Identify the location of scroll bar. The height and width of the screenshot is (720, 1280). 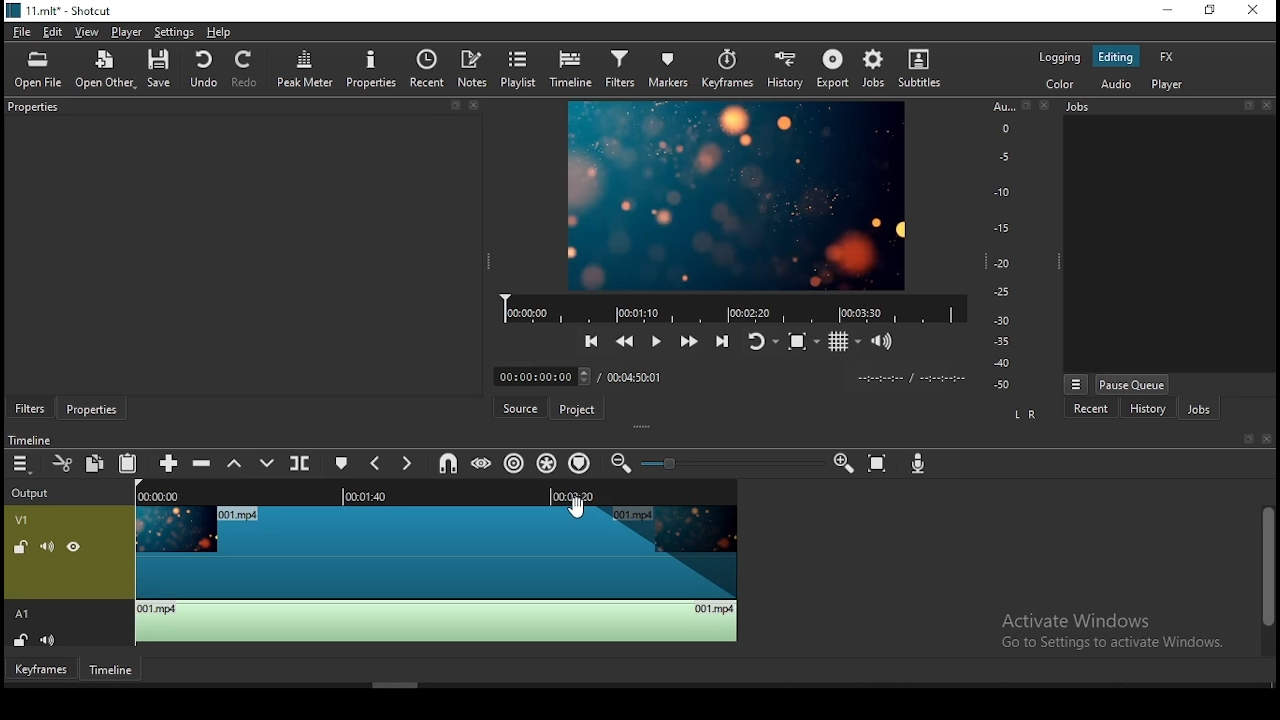
(1265, 576).